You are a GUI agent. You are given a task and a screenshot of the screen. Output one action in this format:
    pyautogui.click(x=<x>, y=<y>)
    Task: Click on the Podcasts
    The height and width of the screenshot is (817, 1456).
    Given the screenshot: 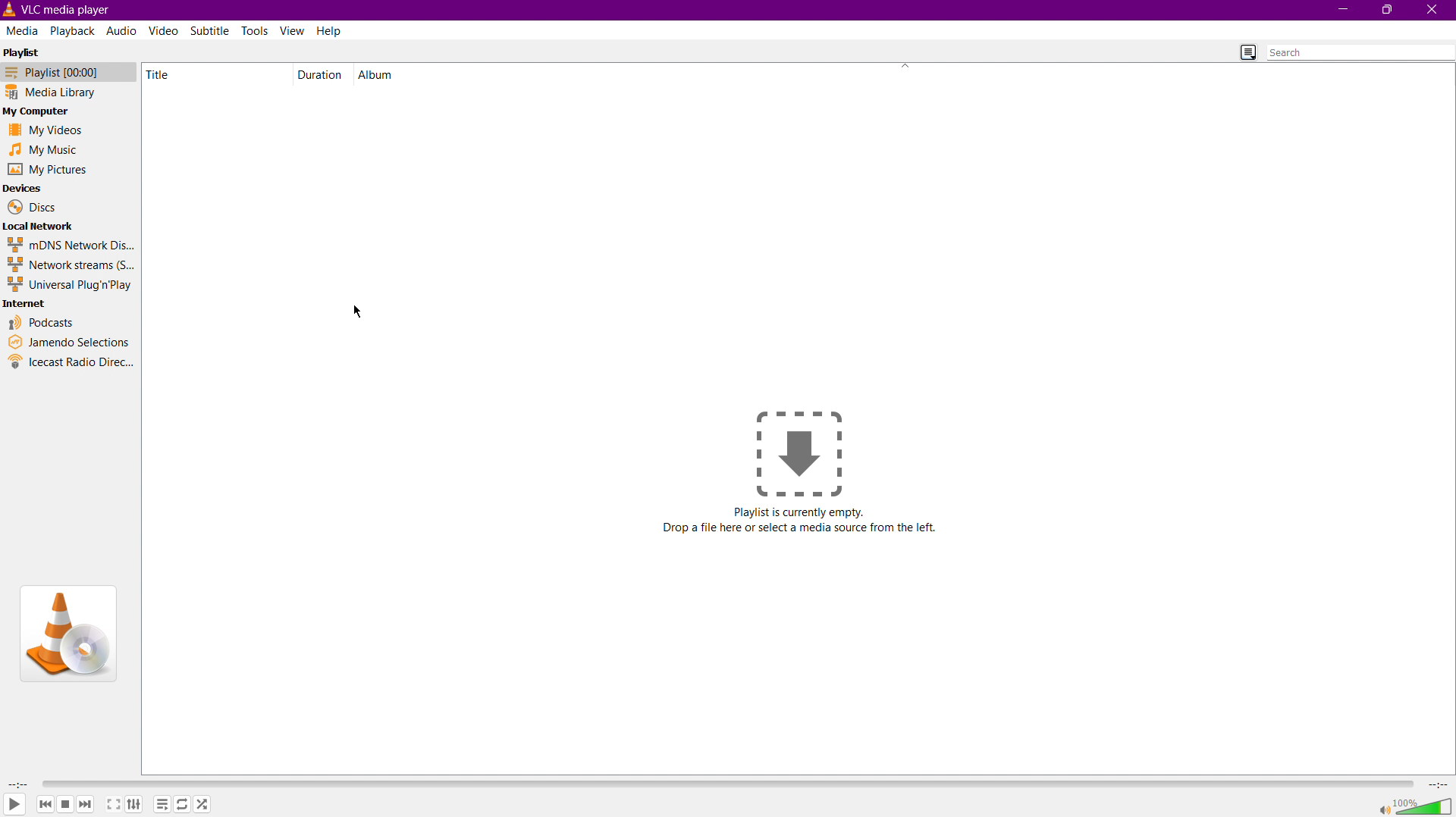 What is the action you would take?
    pyautogui.click(x=41, y=324)
    